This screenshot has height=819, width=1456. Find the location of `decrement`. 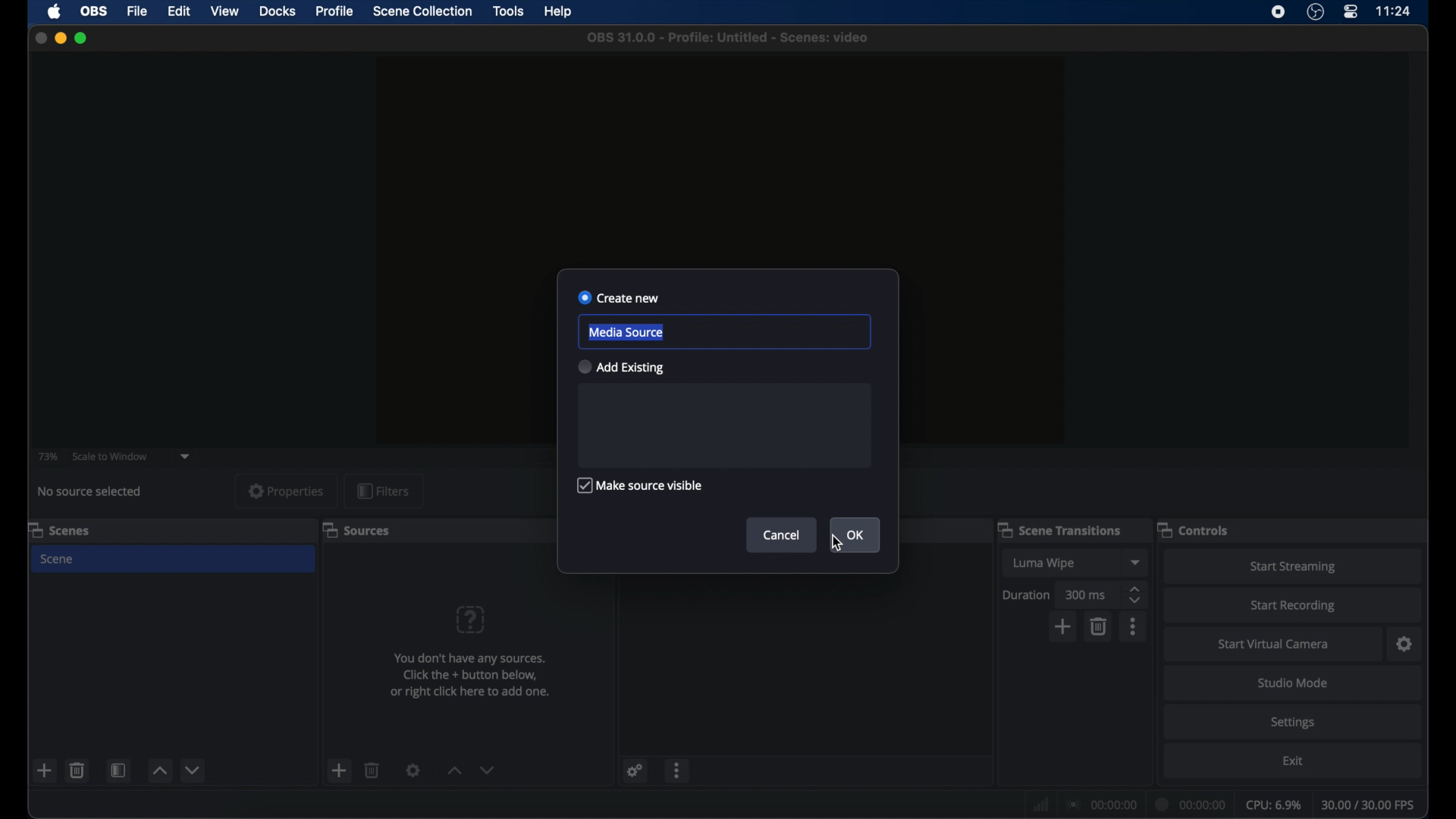

decrement is located at coordinates (194, 770).